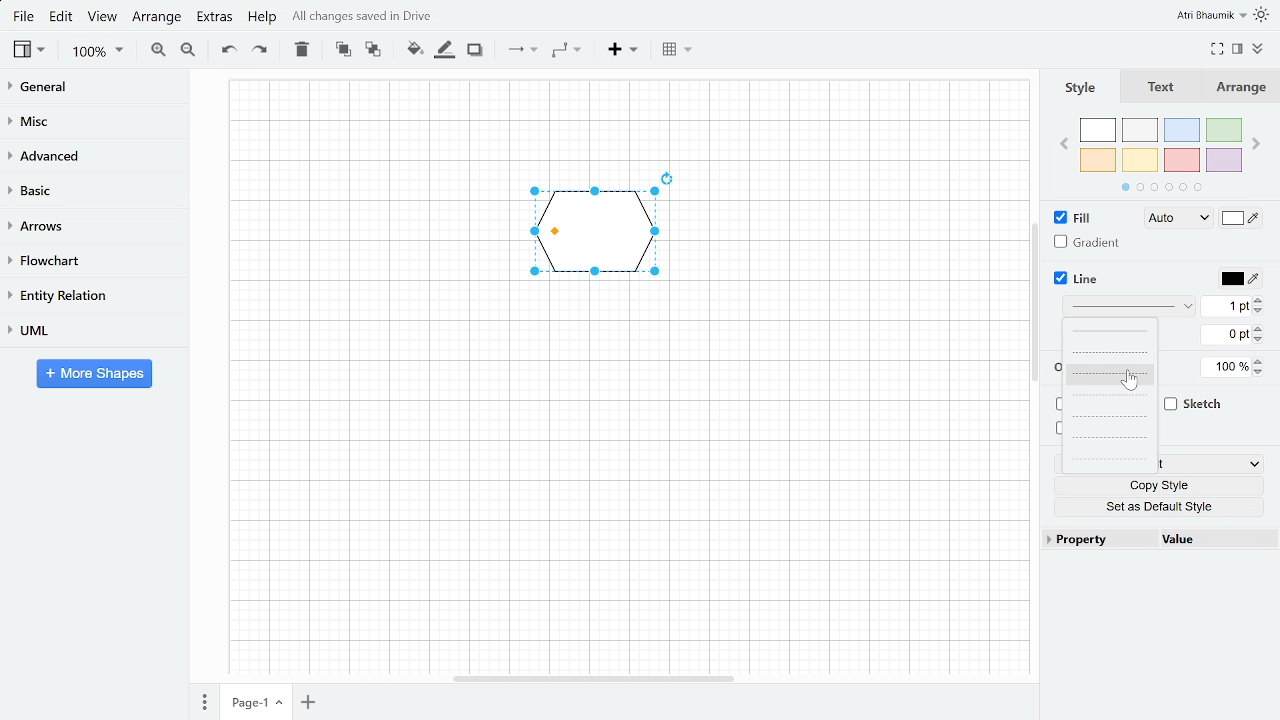 The height and width of the screenshot is (720, 1280). What do you see at coordinates (1264, 16) in the screenshot?
I see `Indicates light theme` at bounding box center [1264, 16].